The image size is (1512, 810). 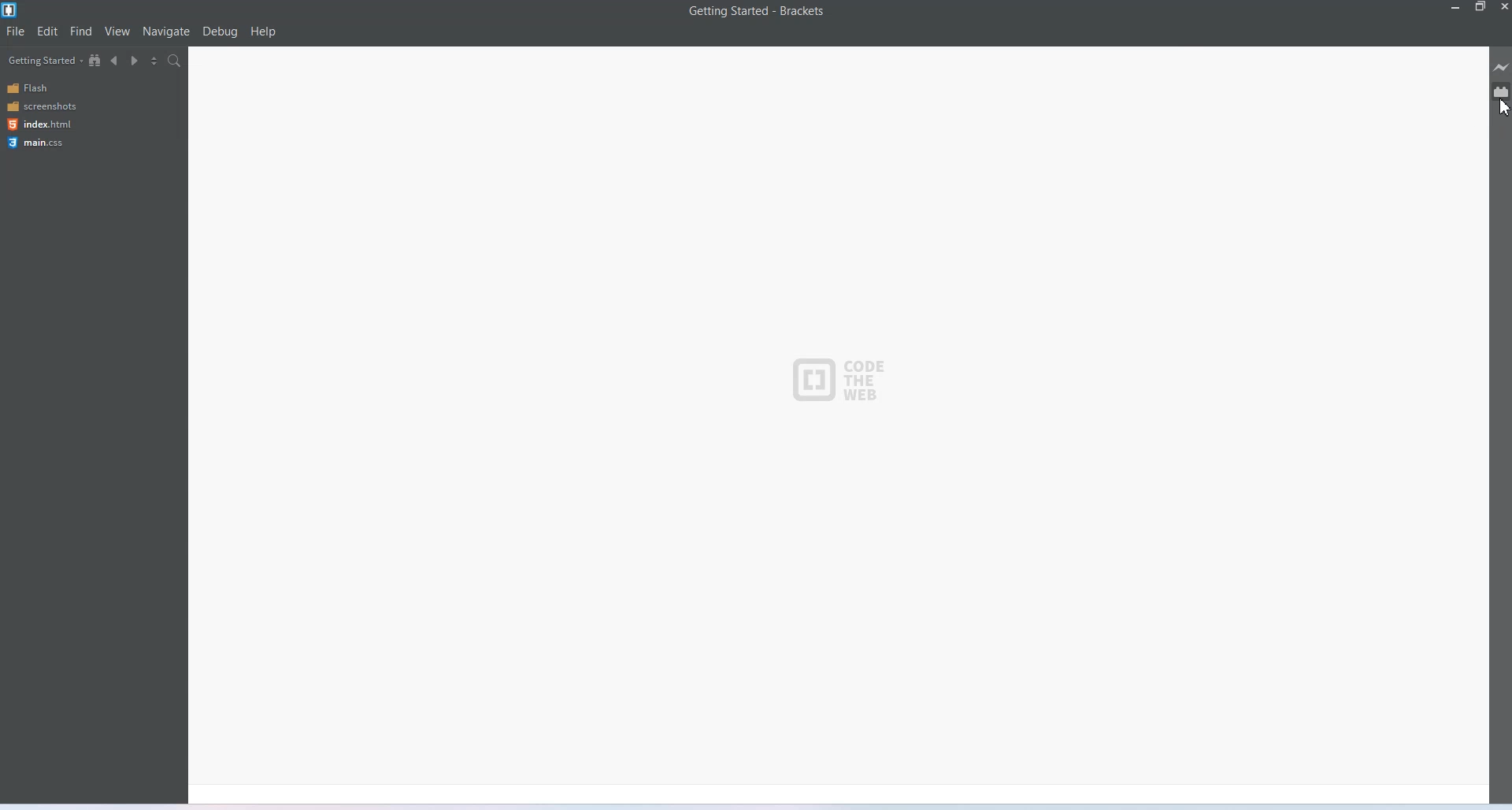 I want to click on Getting started, so click(x=43, y=60).